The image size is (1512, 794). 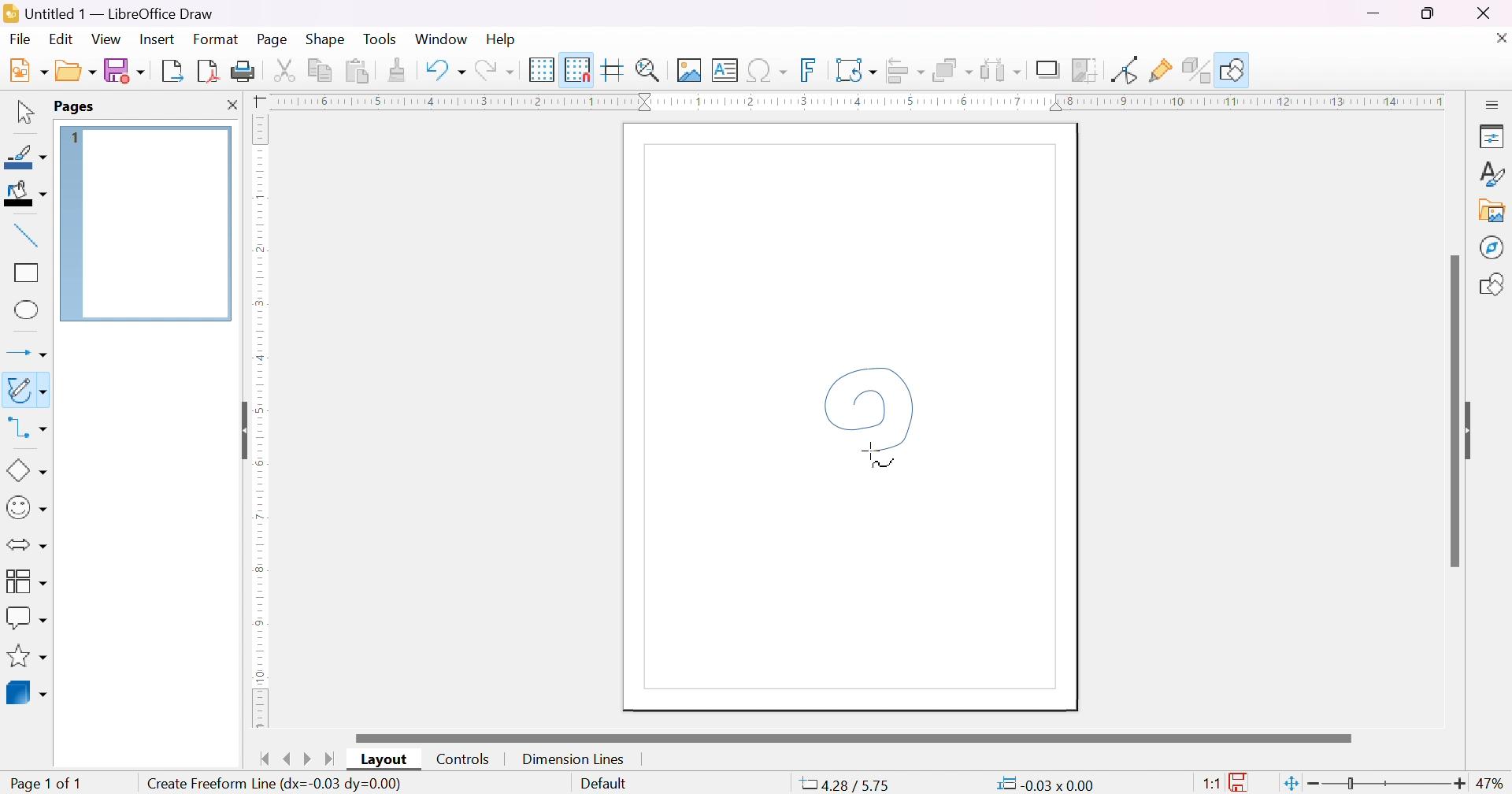 I want to click on rectangle, so click(x=27, y=271).